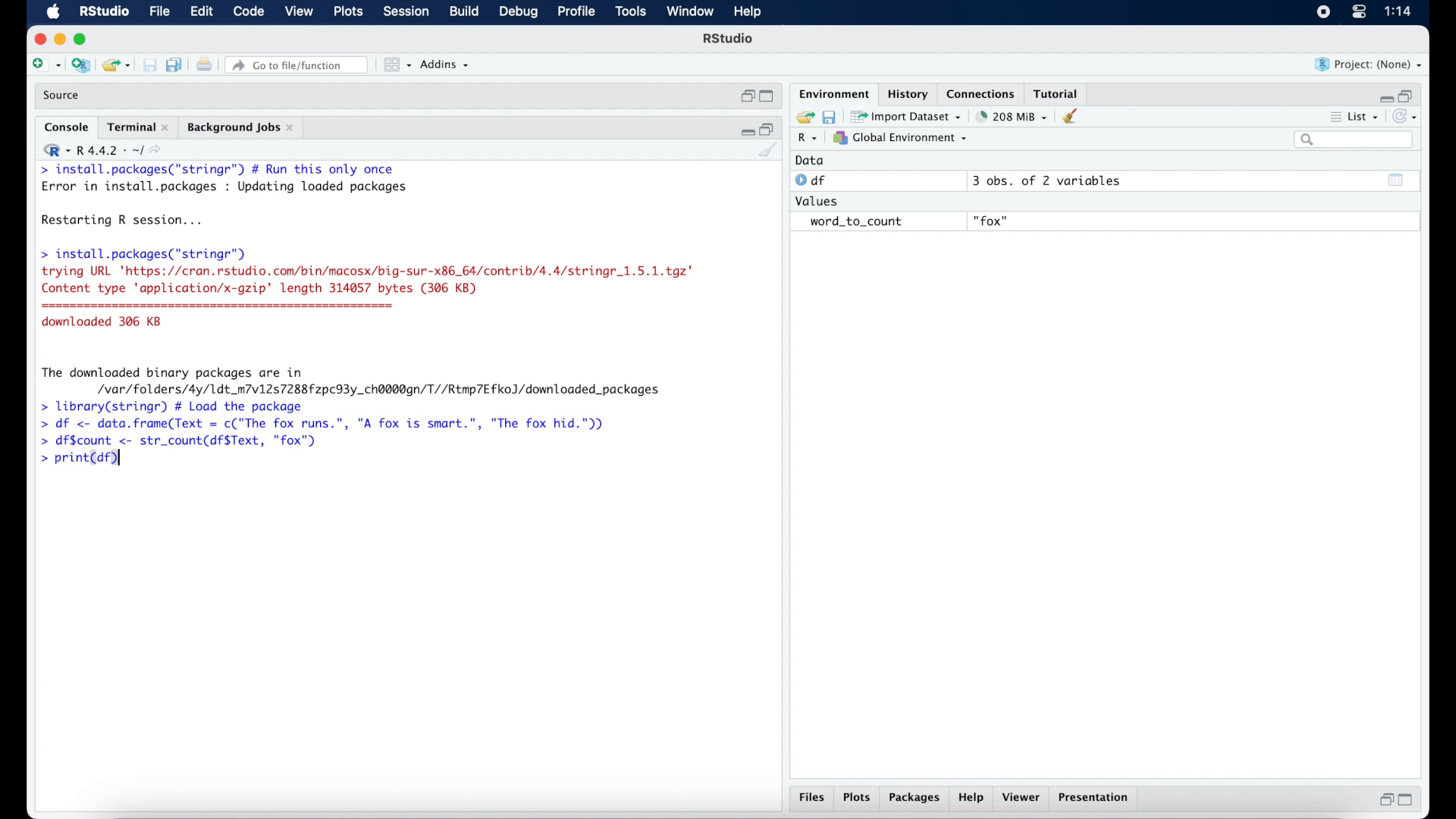 Image resolution: width=1456 pixels, height=819 pixels. Describe the element at coordinates (900, 137) in the screenshot. I see `global environment` at that location.